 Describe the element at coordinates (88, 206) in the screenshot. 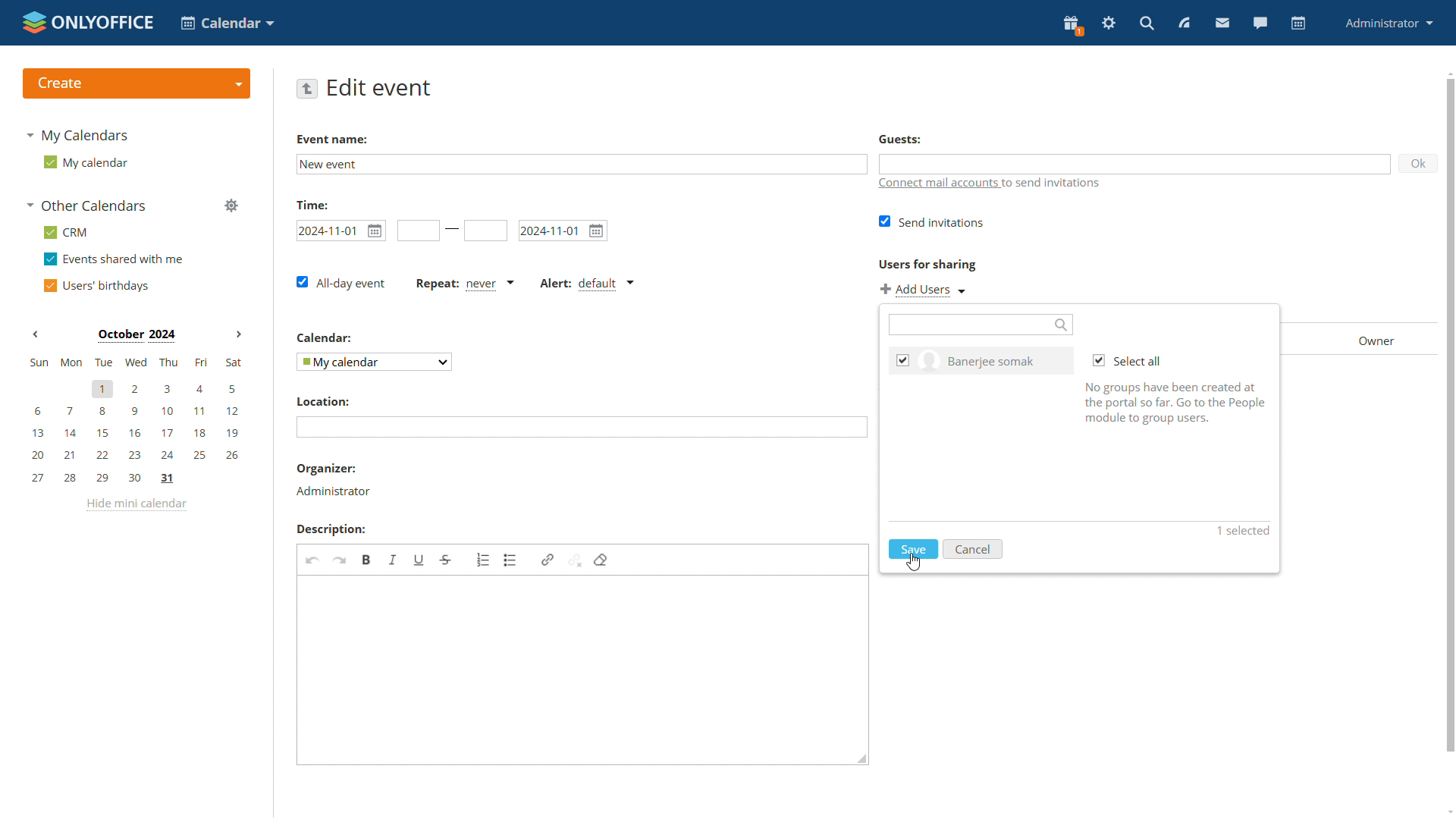

I see `other calendars` at that location.